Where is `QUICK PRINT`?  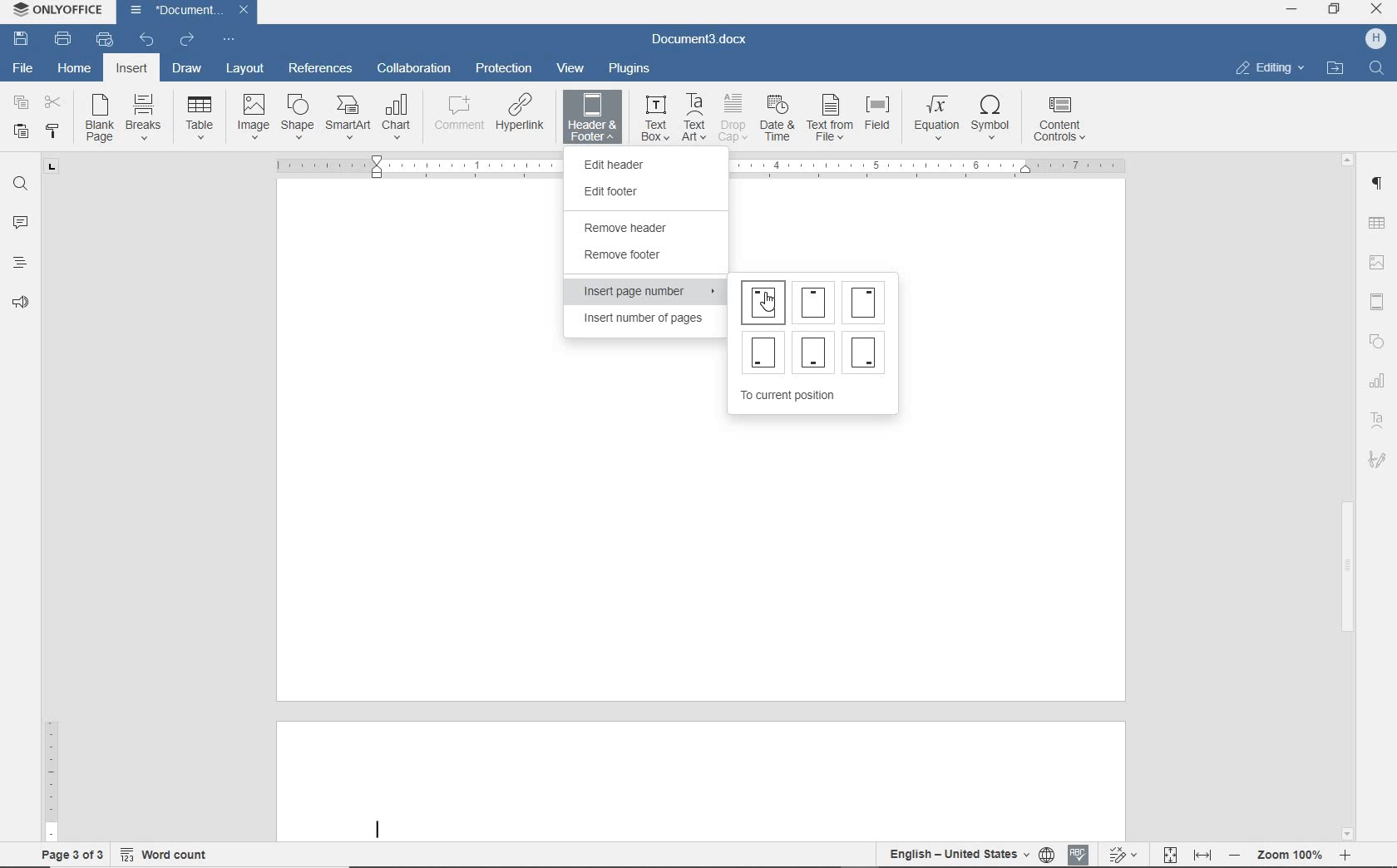
QUICK PRINT is located at coordinates (107, 40).